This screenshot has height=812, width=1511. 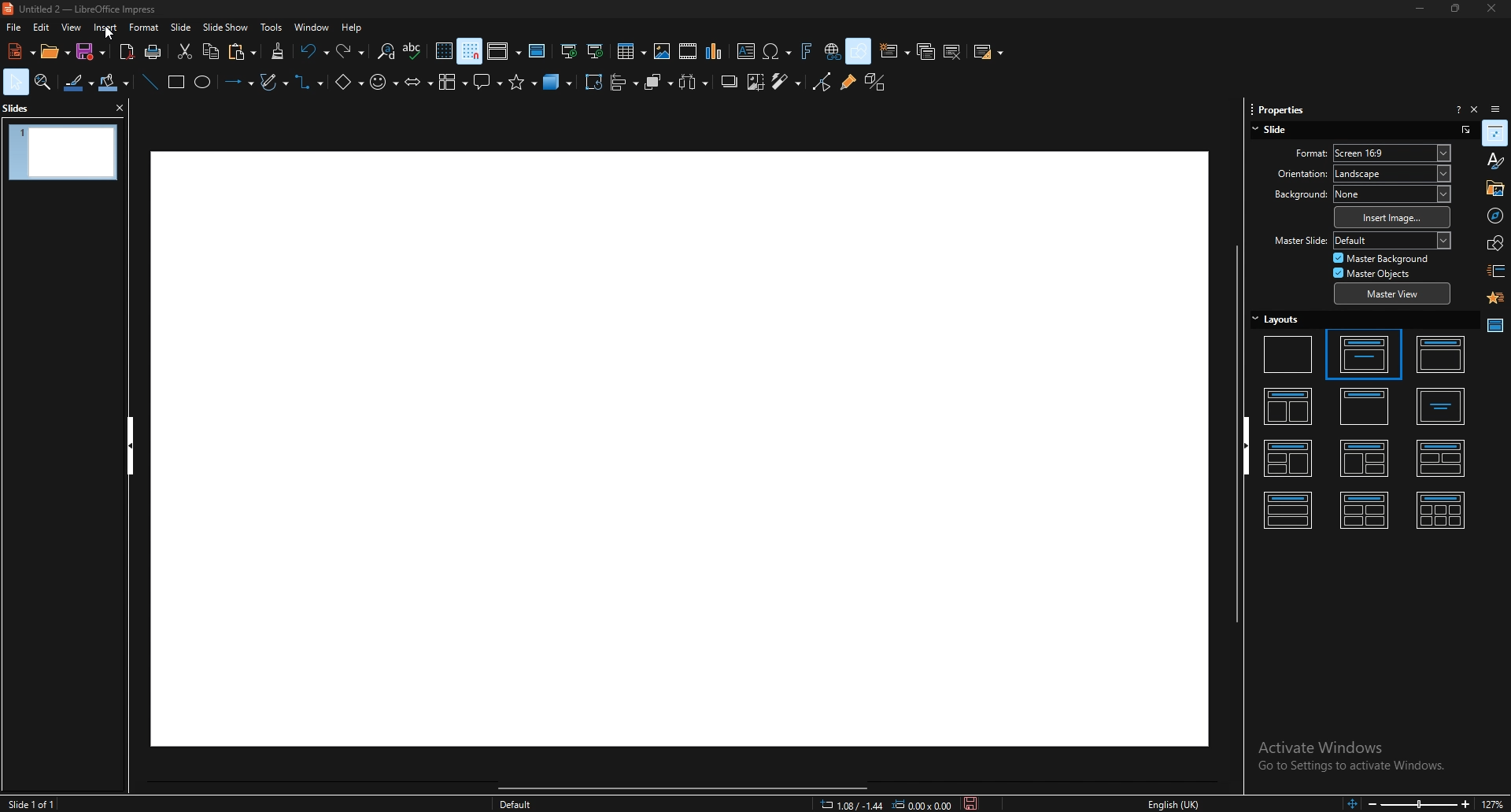 I want to click on insert chart, so click(x=716, y=52).